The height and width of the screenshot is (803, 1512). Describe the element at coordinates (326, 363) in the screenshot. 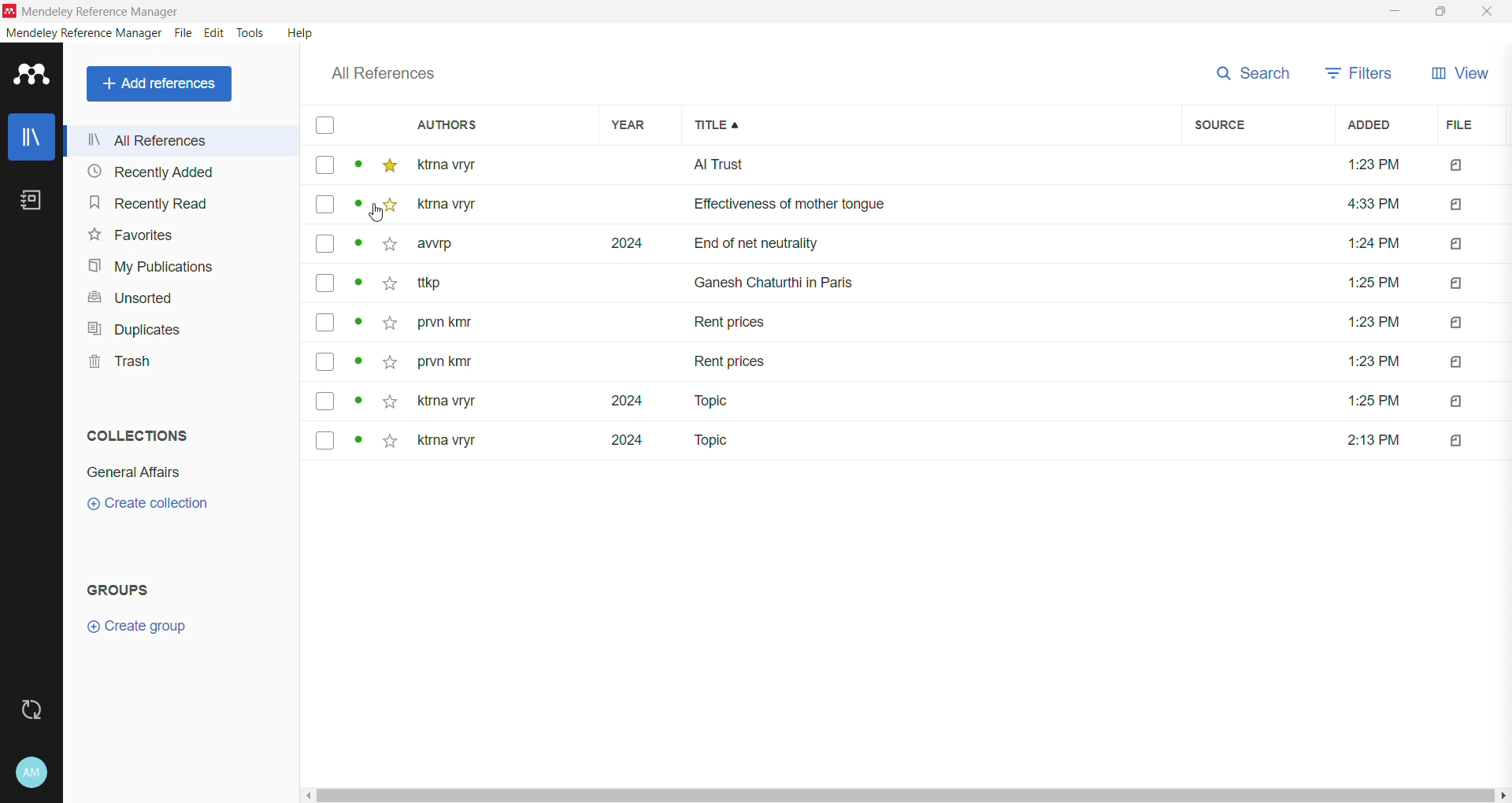

I see `box` at that location.